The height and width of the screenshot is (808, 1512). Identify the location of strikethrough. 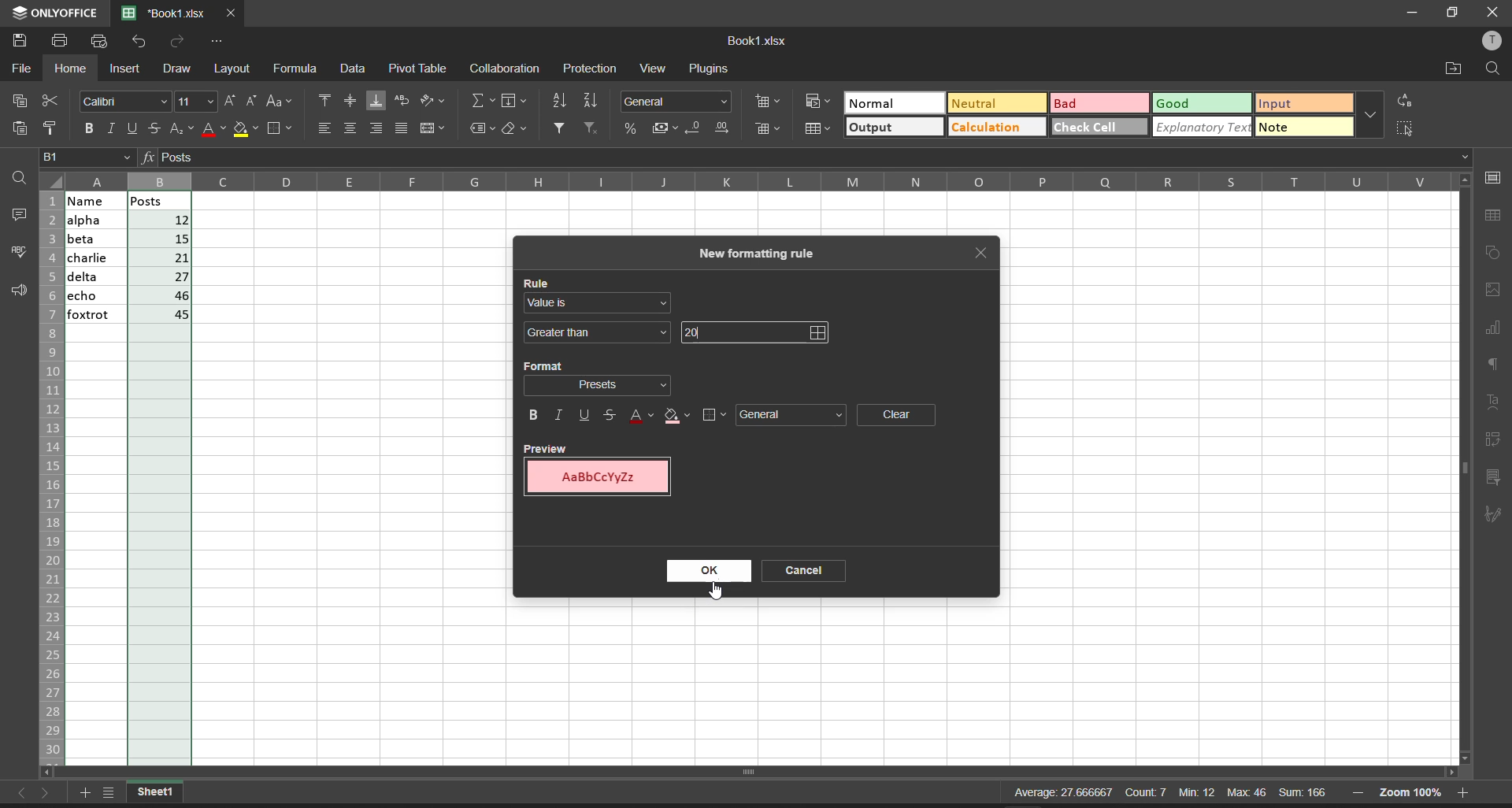
(154, 126).